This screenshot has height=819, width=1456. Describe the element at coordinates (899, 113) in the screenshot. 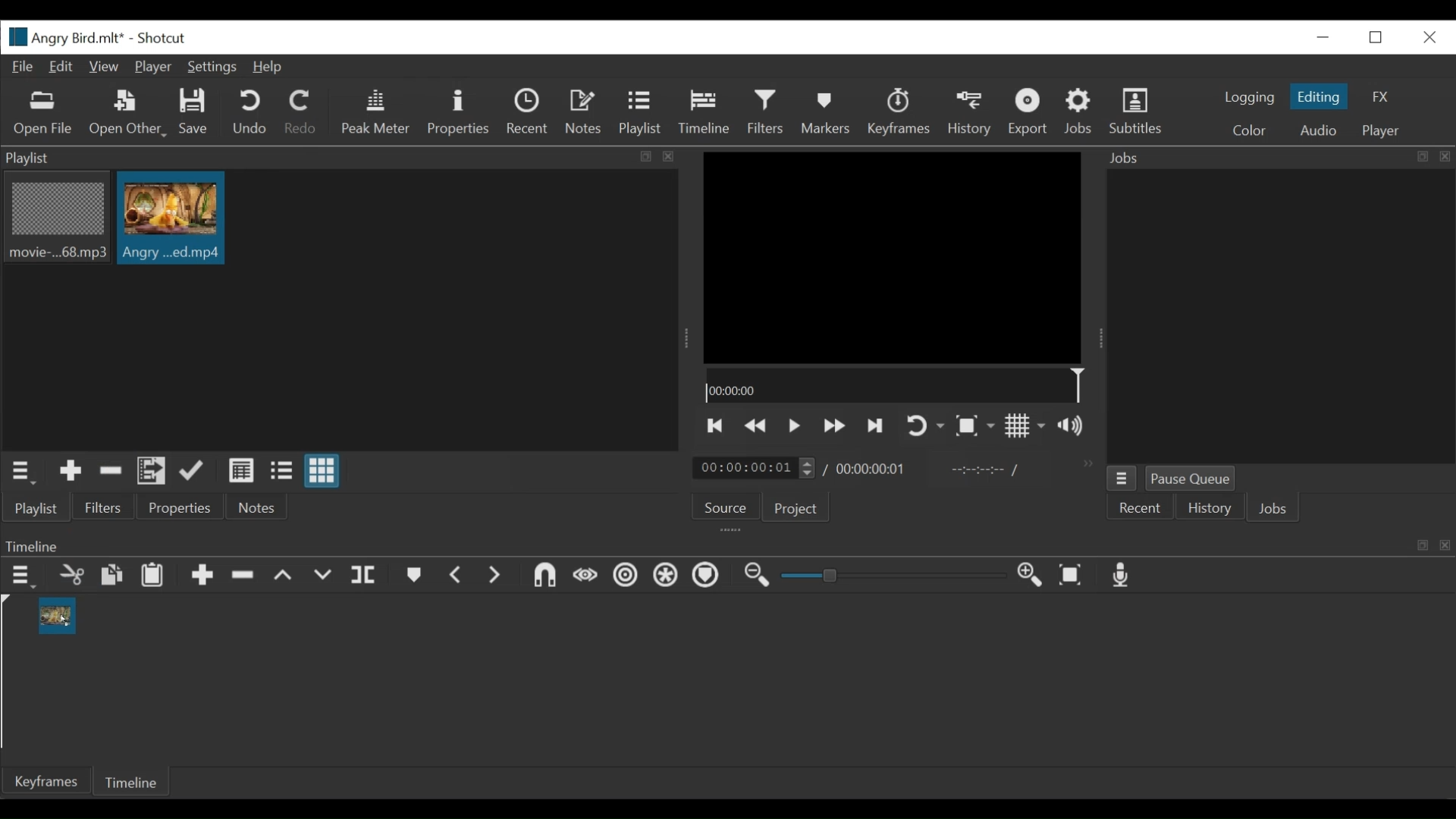

I see `Keyframes` at that location.